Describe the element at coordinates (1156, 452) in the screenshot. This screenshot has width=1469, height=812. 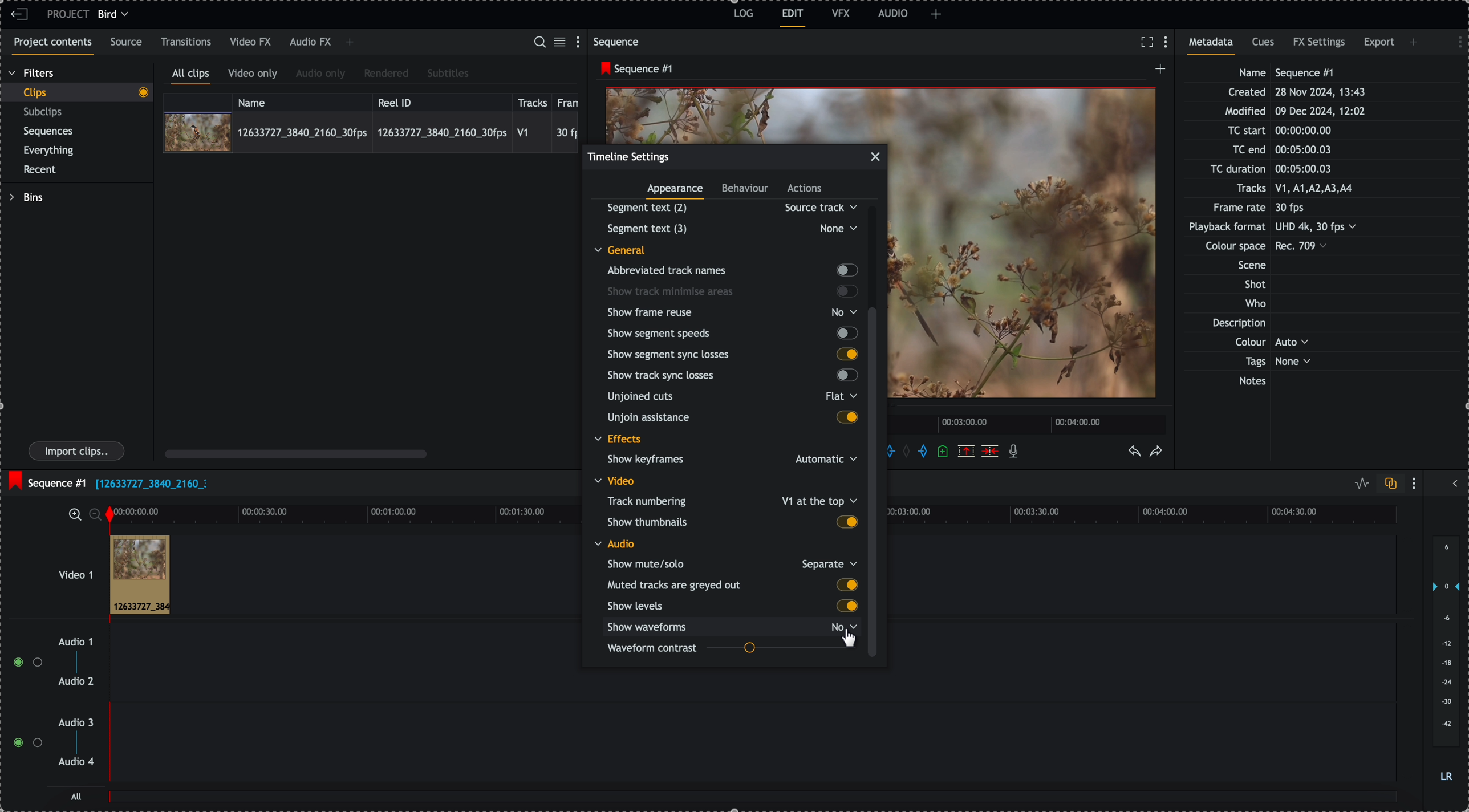
I see `redo` at that location.